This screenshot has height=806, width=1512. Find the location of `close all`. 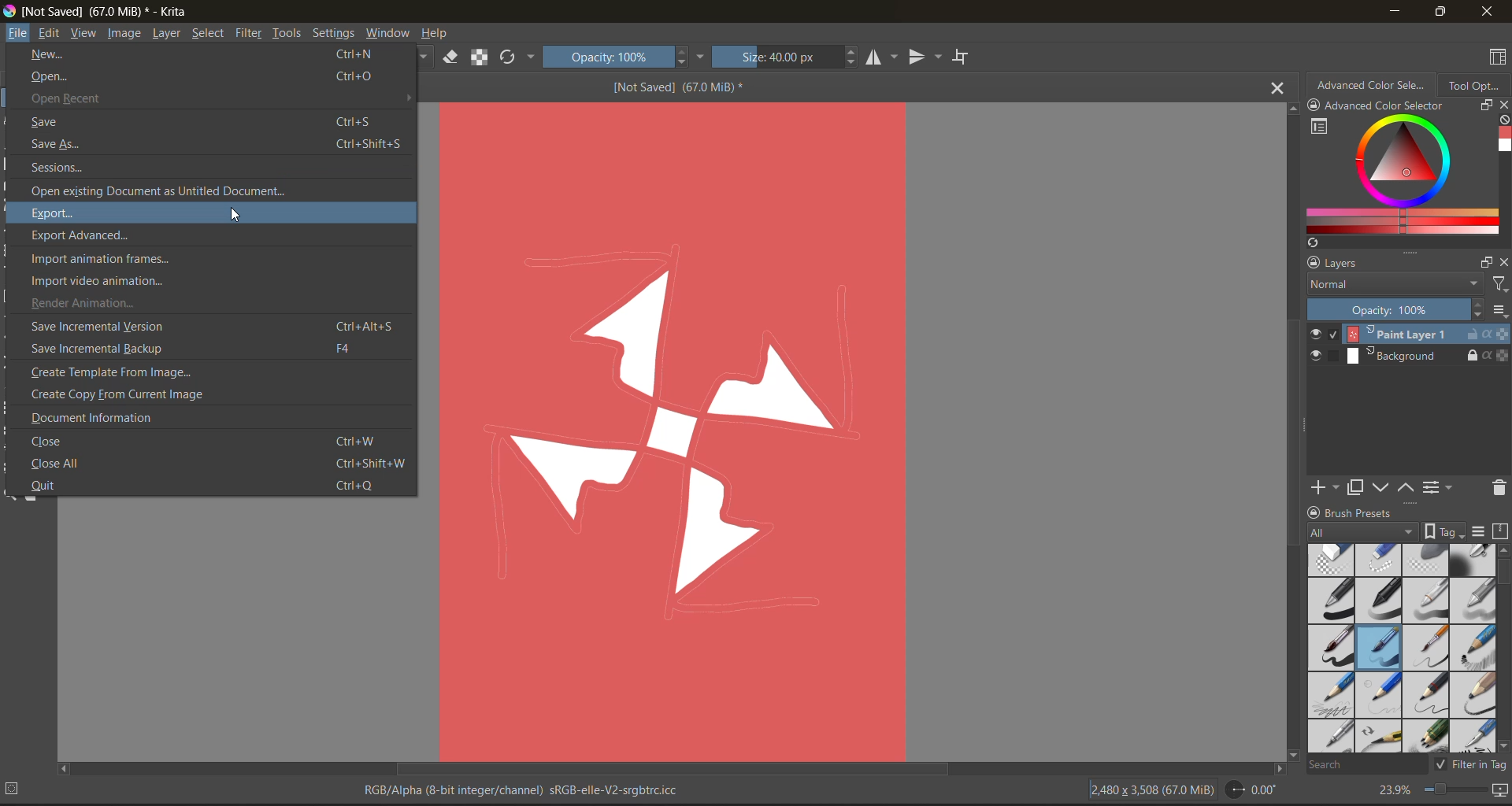

close all is located at coordinates (220, 463).